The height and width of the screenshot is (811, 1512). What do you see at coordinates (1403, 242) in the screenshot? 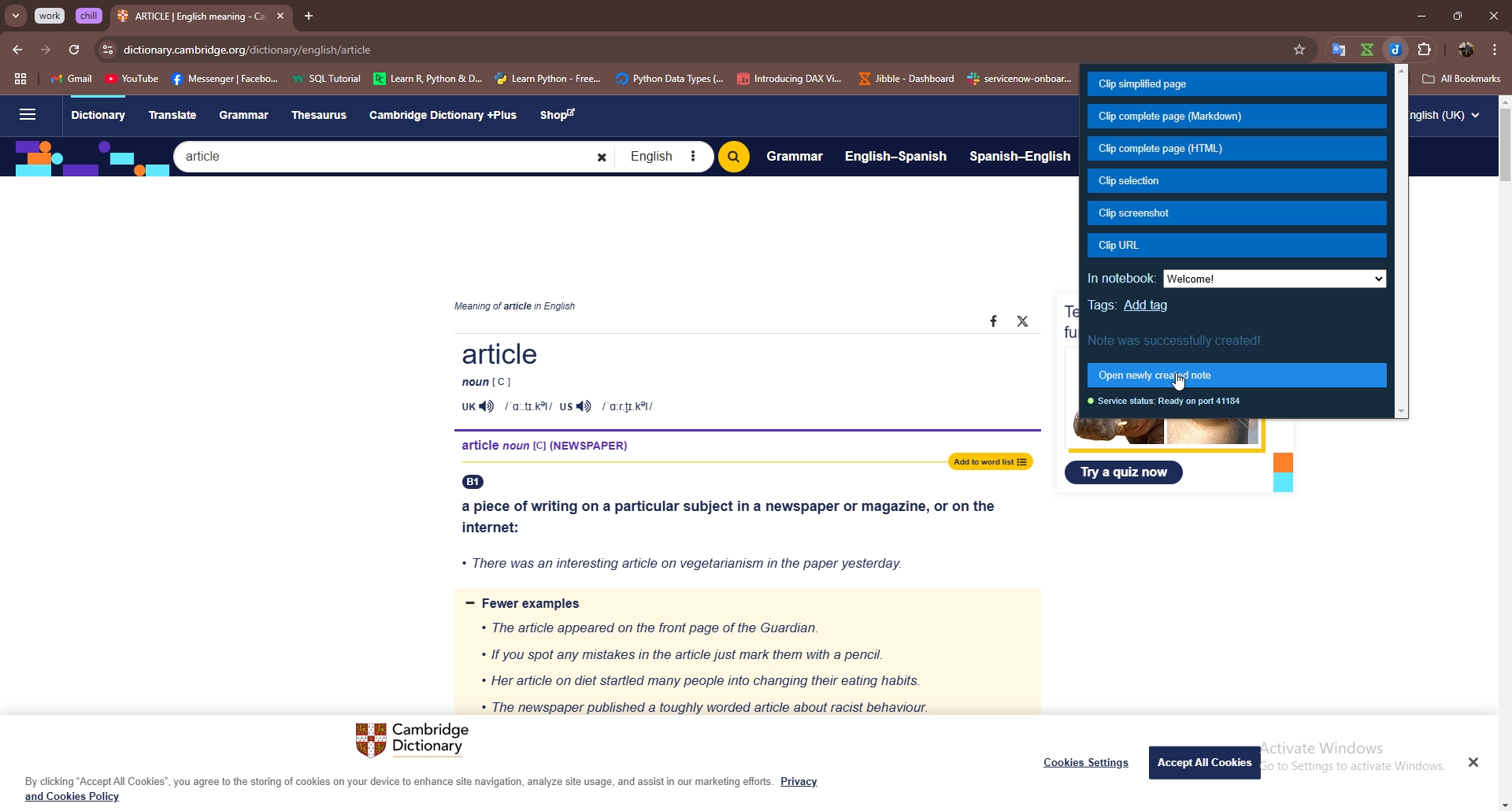
I see `scroll bar` at bounding box center [1403, 242].